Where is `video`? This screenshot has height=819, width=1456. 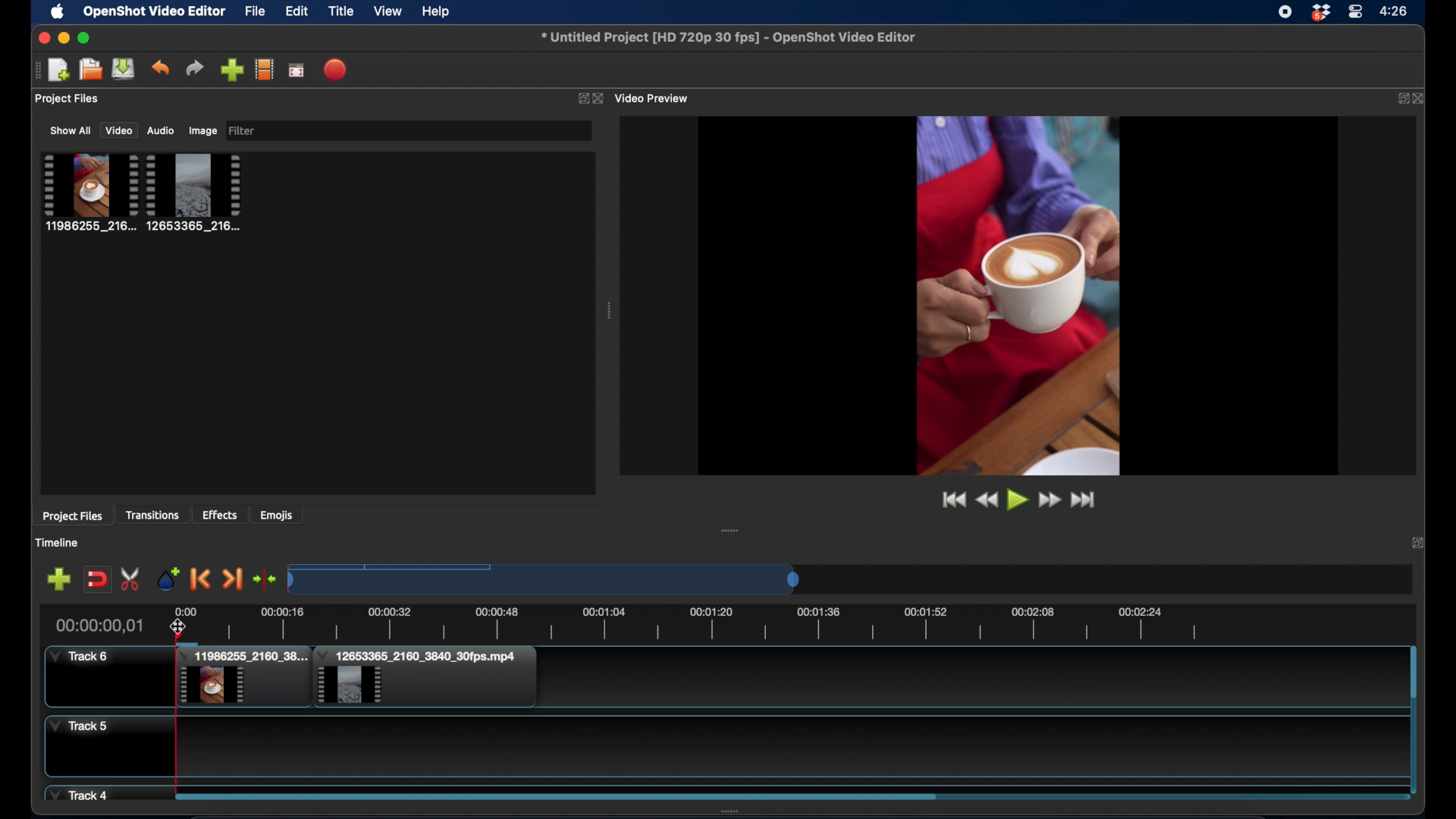
video is located at coordinates (118, 130).